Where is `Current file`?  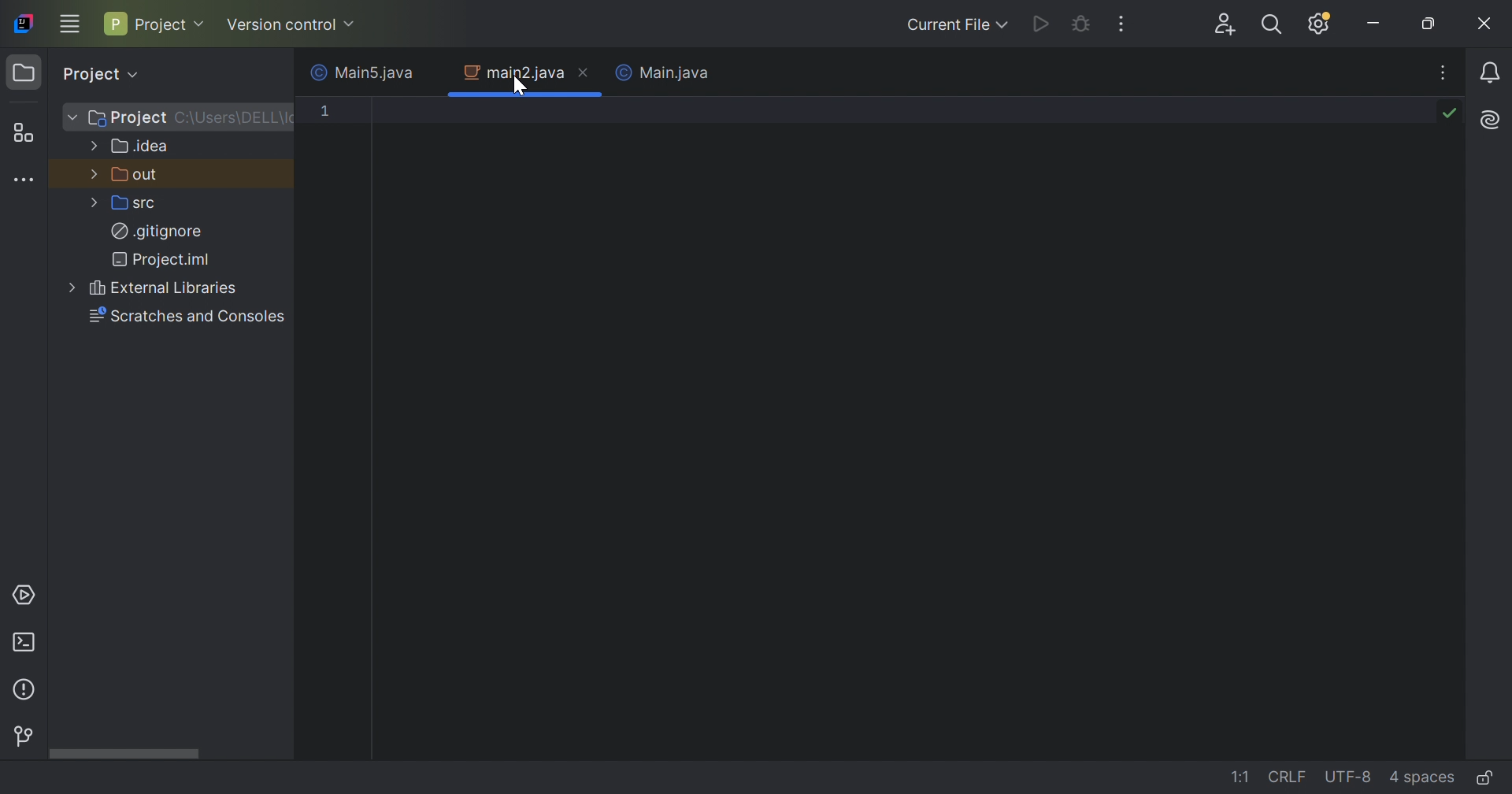
Current file is located at coordinates (954, 24).